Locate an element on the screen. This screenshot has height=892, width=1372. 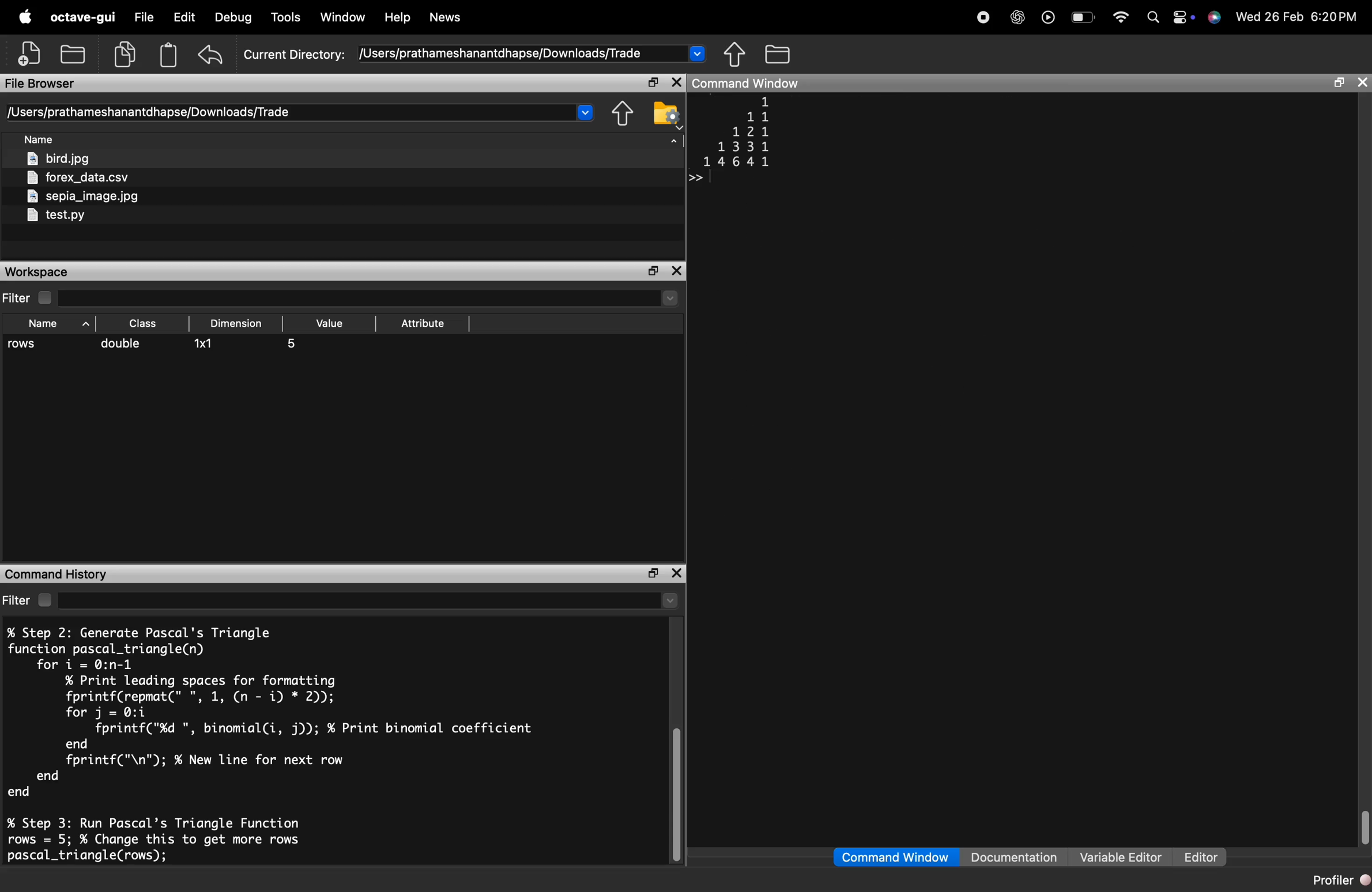
1 4 6 4 1 is located at coordinates (736, 162).